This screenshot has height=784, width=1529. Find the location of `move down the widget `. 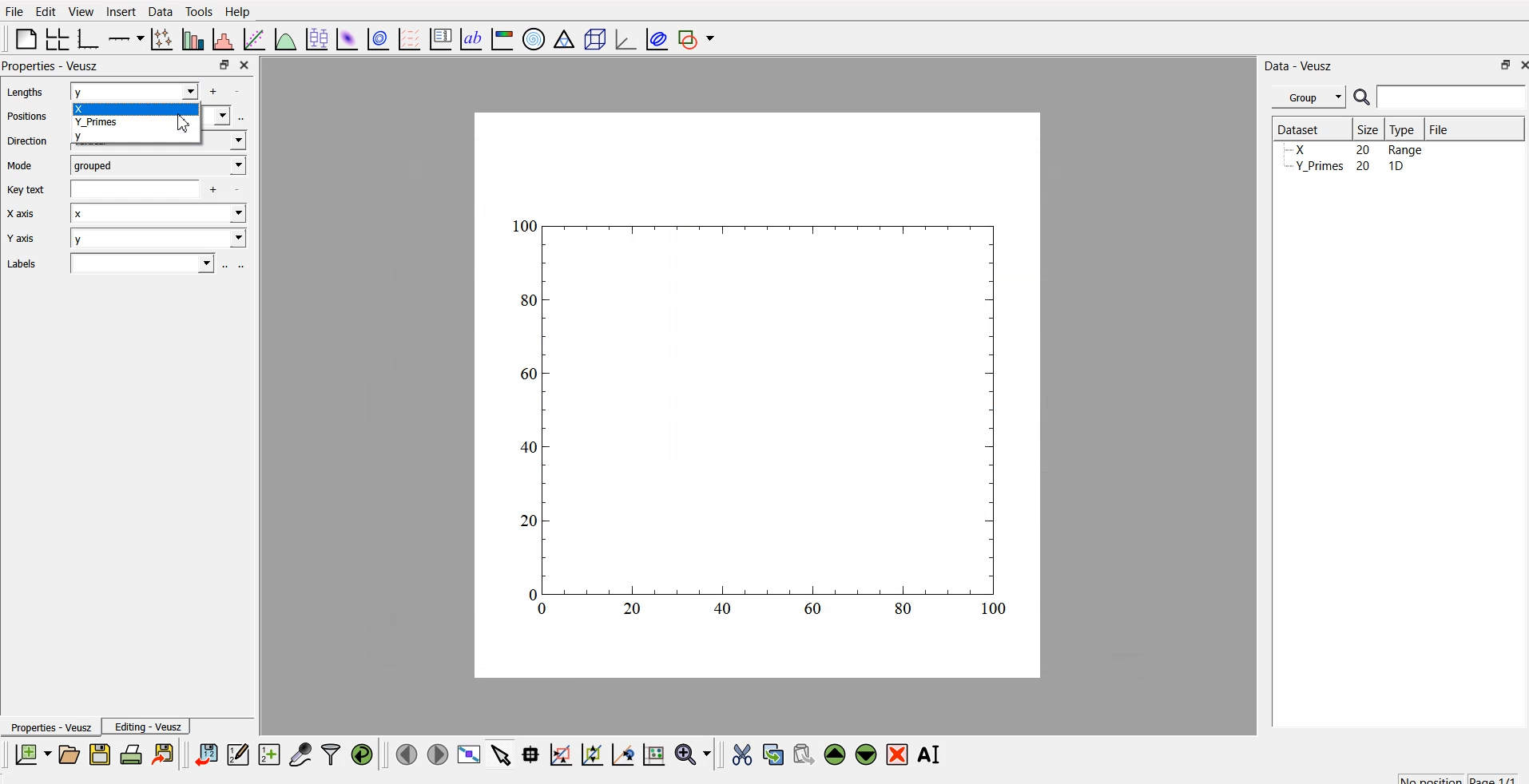

move down the widget  is located at coordinates (864, 754).